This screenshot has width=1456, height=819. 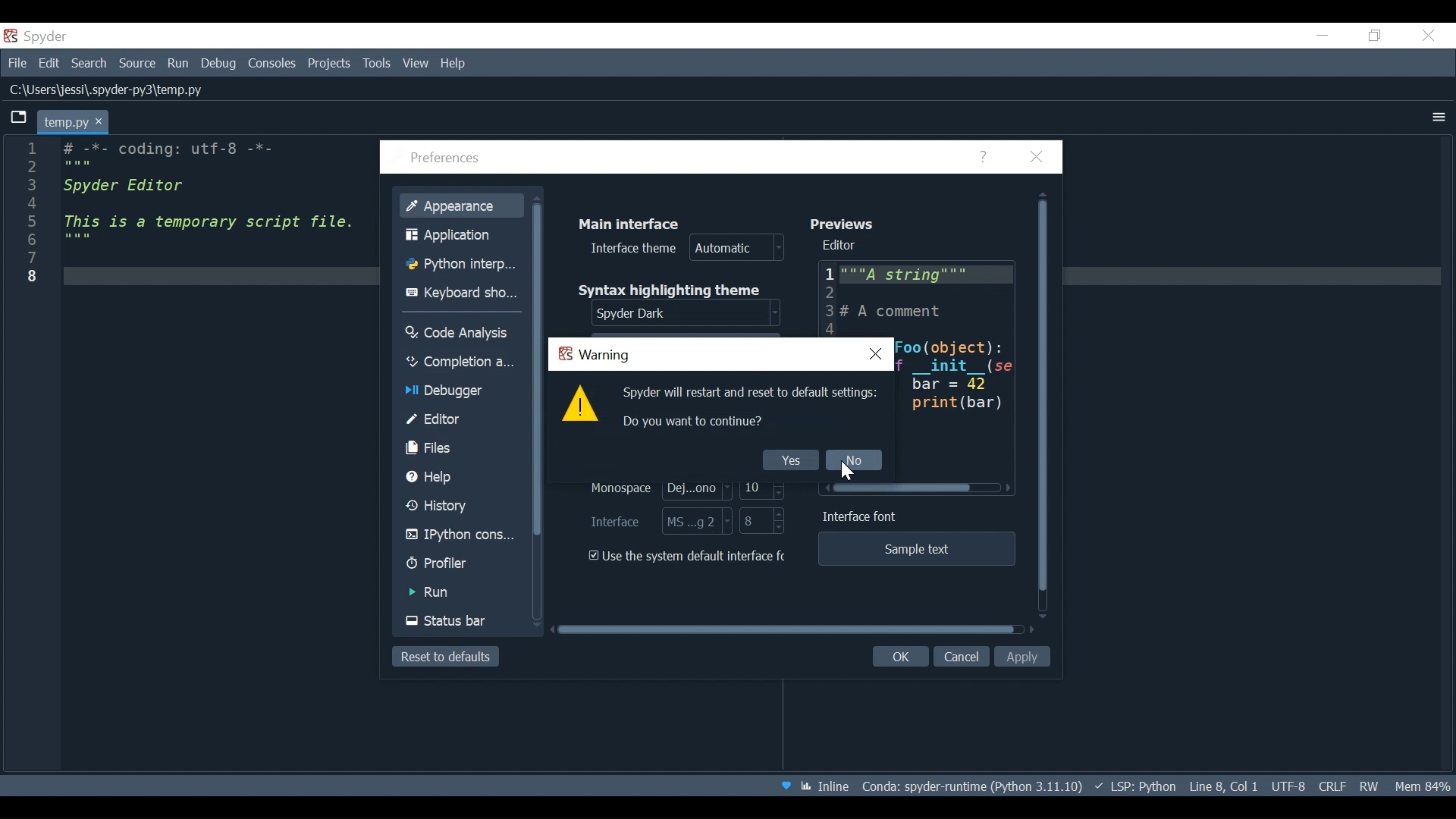 I want to click on No, so click(x=853, y=461).